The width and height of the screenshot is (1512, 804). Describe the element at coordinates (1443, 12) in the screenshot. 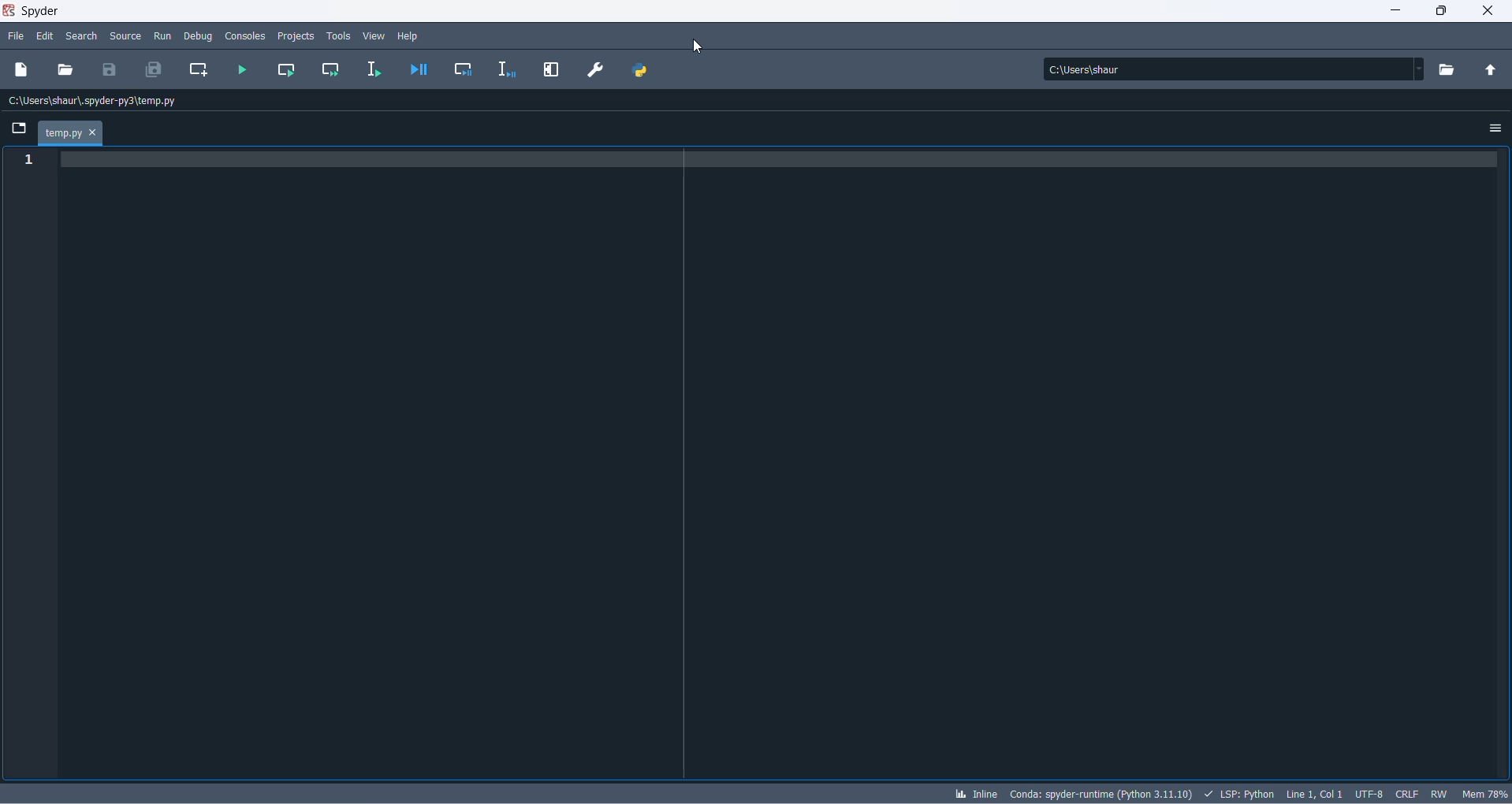

I see `maximize` at that location.